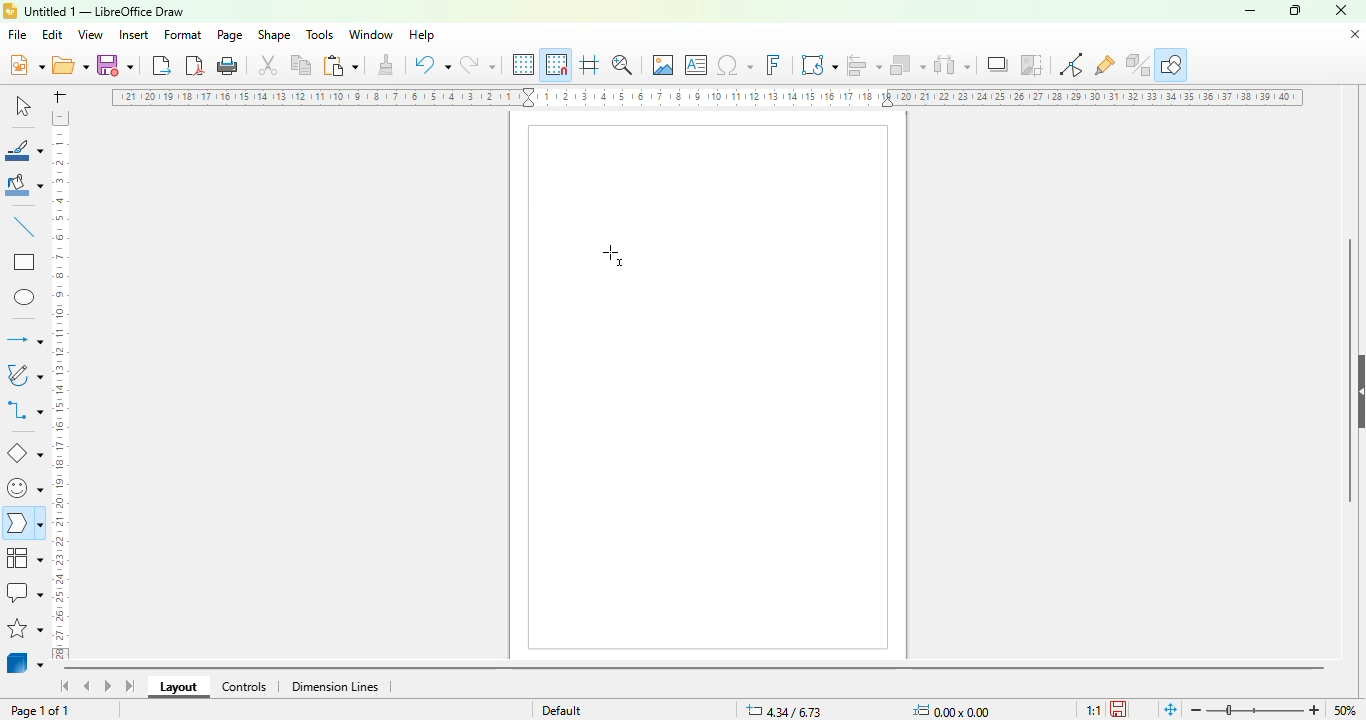  I want to click on rectangle, so click(25, 261).